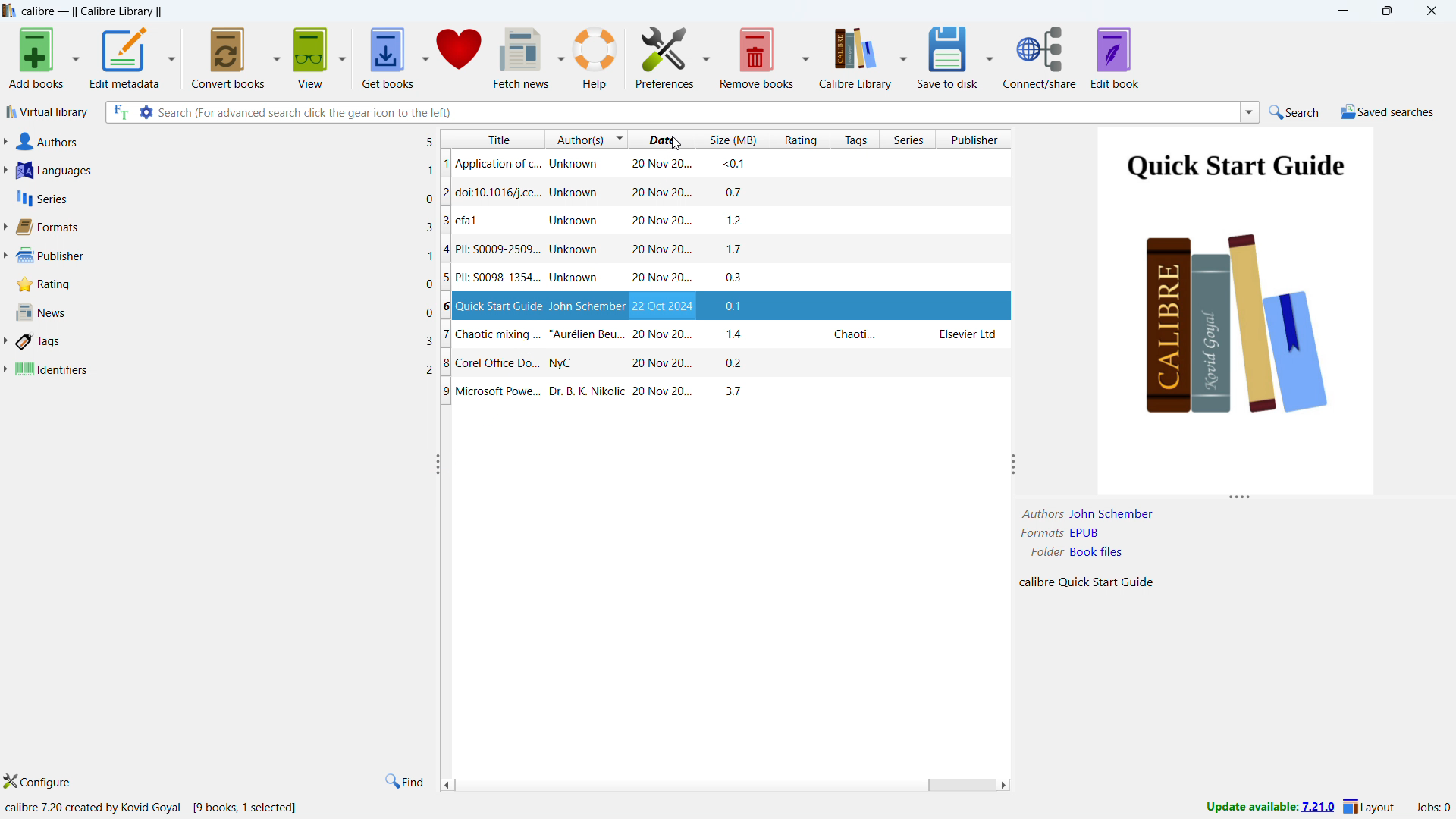 This screenshot has width=1456, height=819. What do you see at coordinates (756, 55) in the screenshot?
I see `Remove books` at bounding box center [756, 55].